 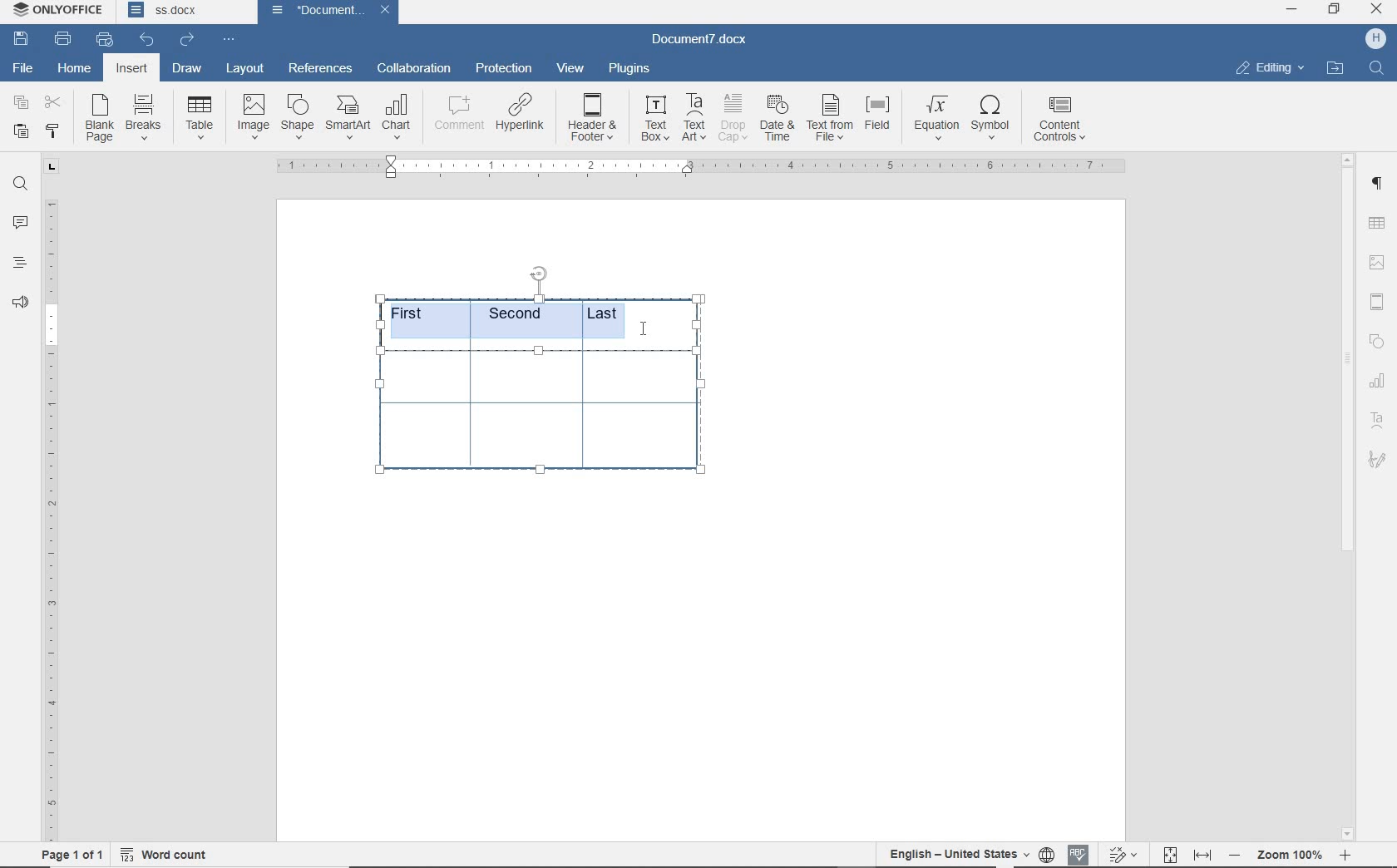 I want to click on insert, so click(x=131, y=70).